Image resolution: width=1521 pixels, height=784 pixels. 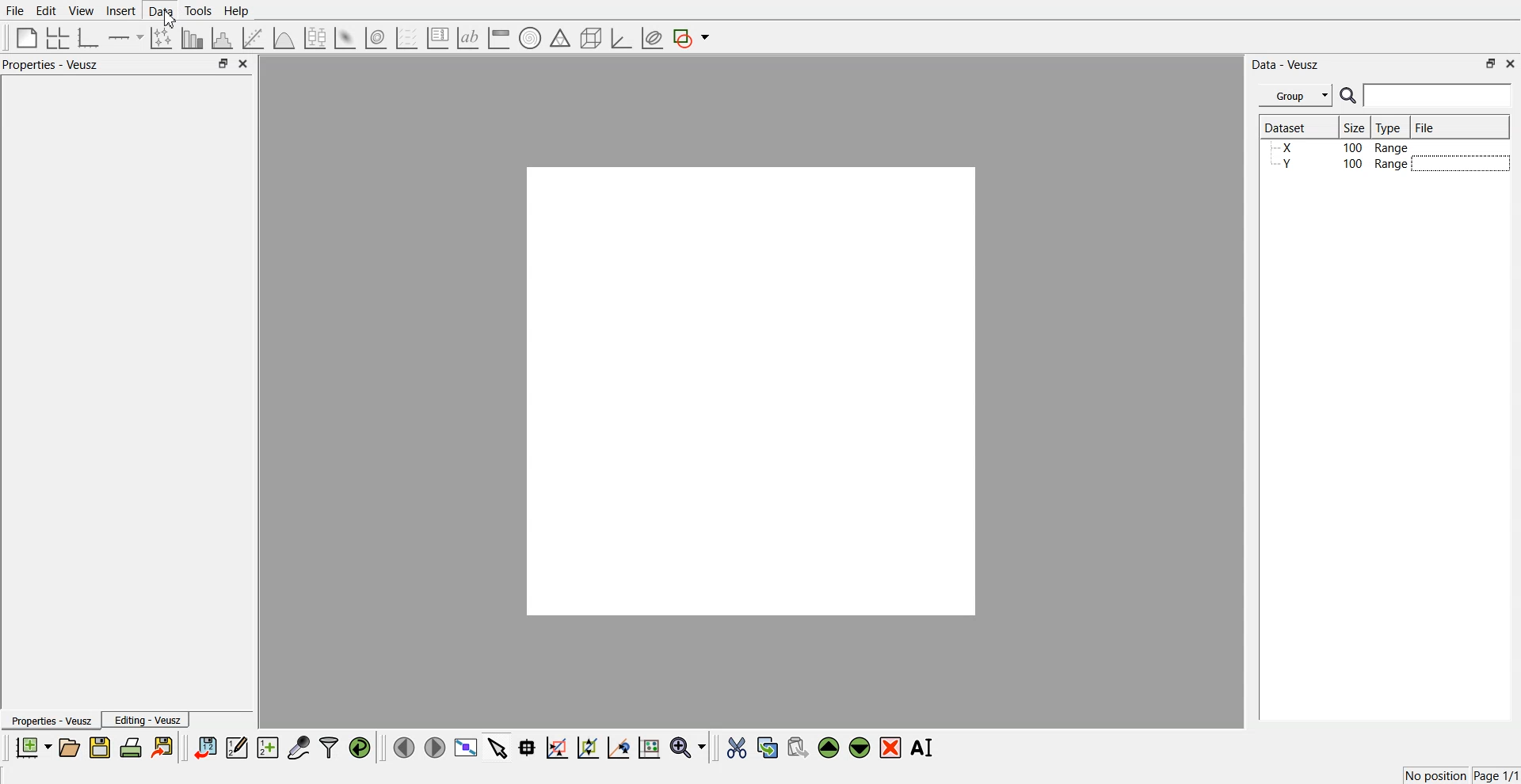 I want to click on 3D Volume, so click(x=375, y=38).